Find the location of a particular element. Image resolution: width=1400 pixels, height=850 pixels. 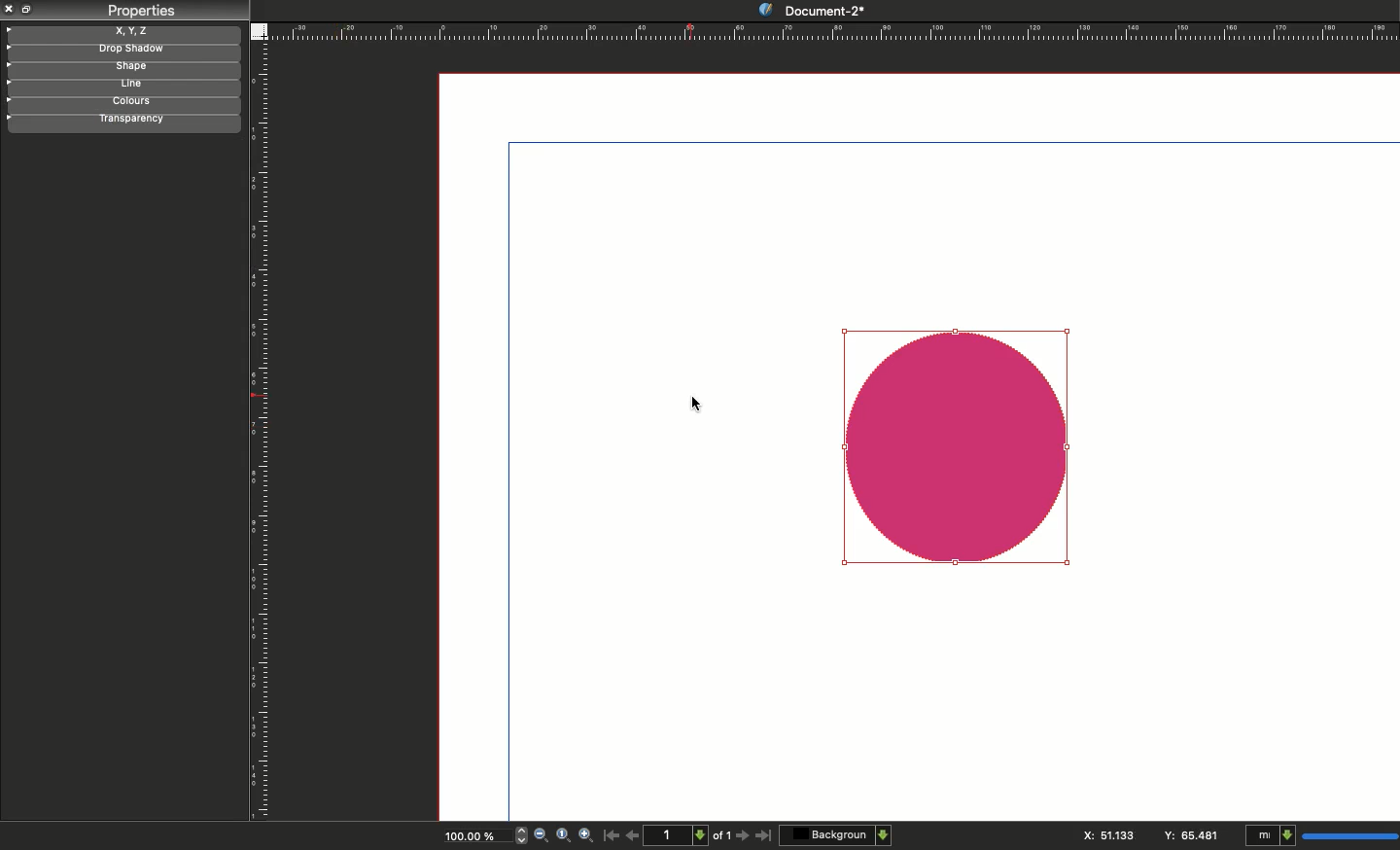

Zoom out is located at coordinates (541, 836).